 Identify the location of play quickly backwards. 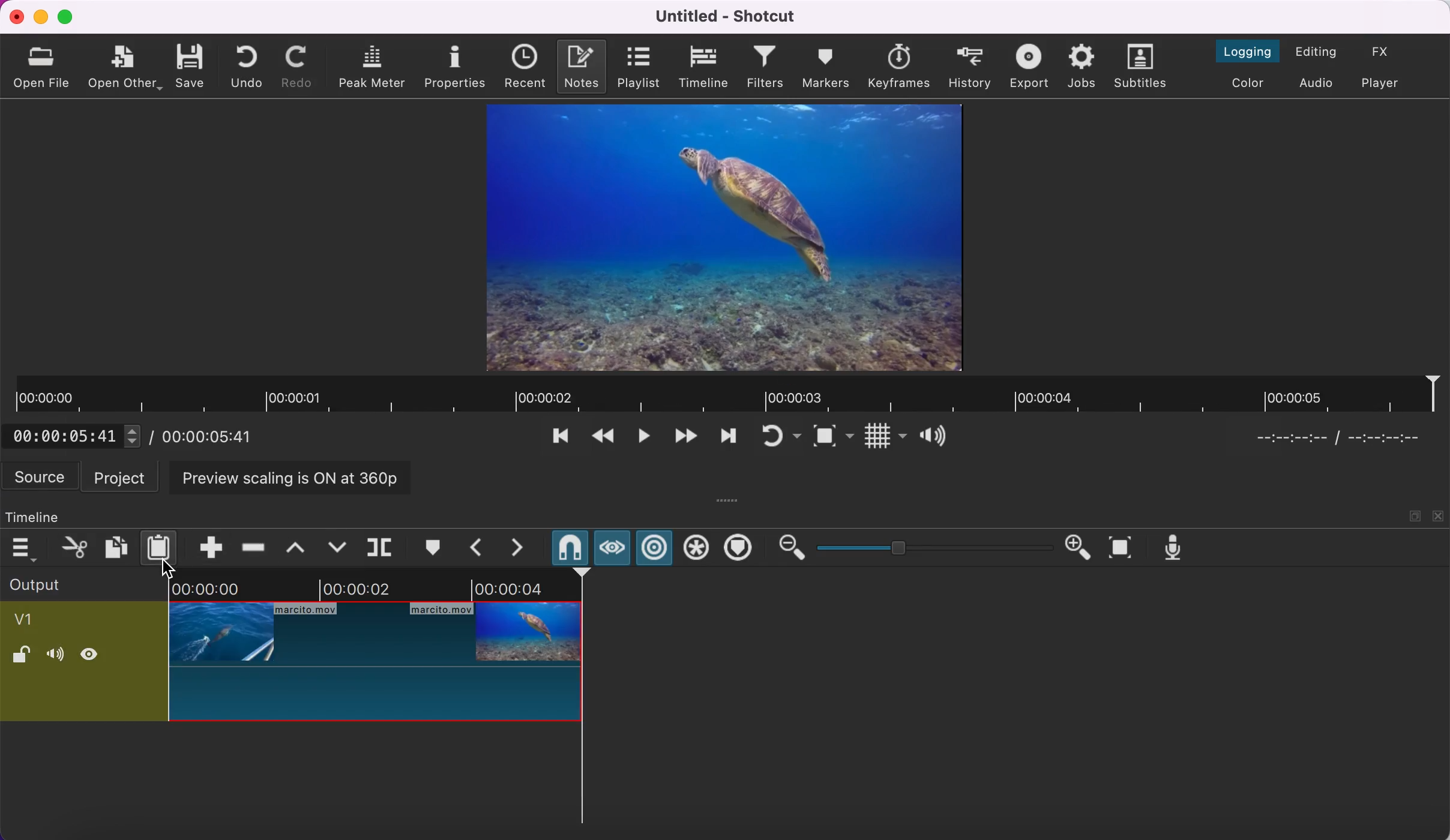
(602, 438).